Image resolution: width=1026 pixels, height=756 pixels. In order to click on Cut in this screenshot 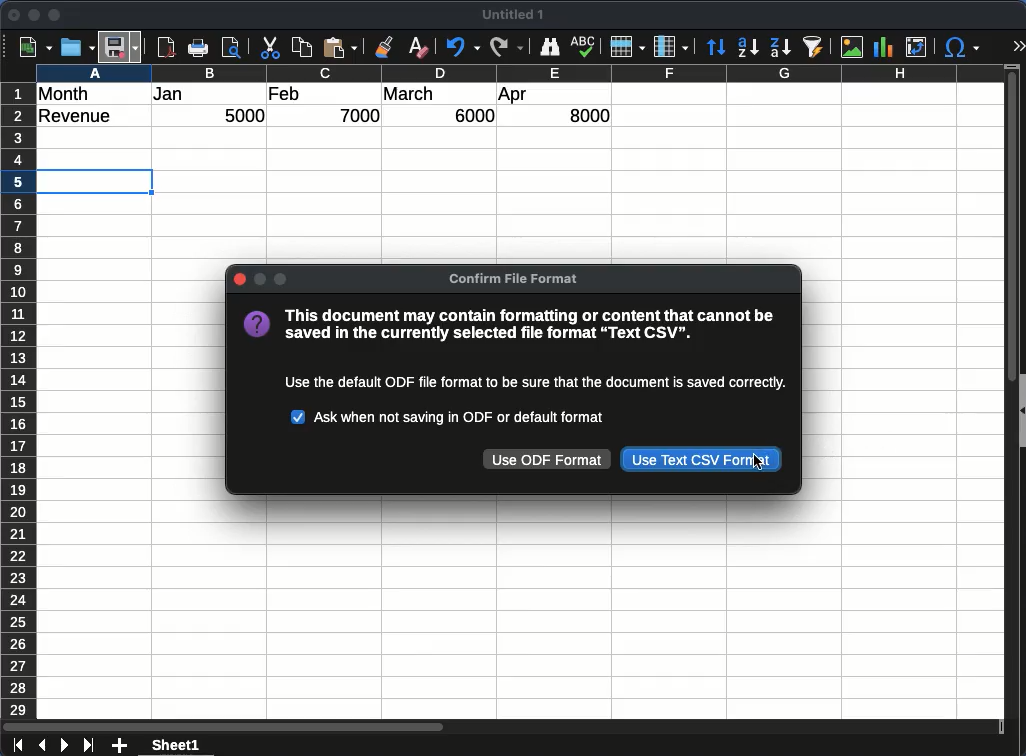, I will do `click(270, 48)`.